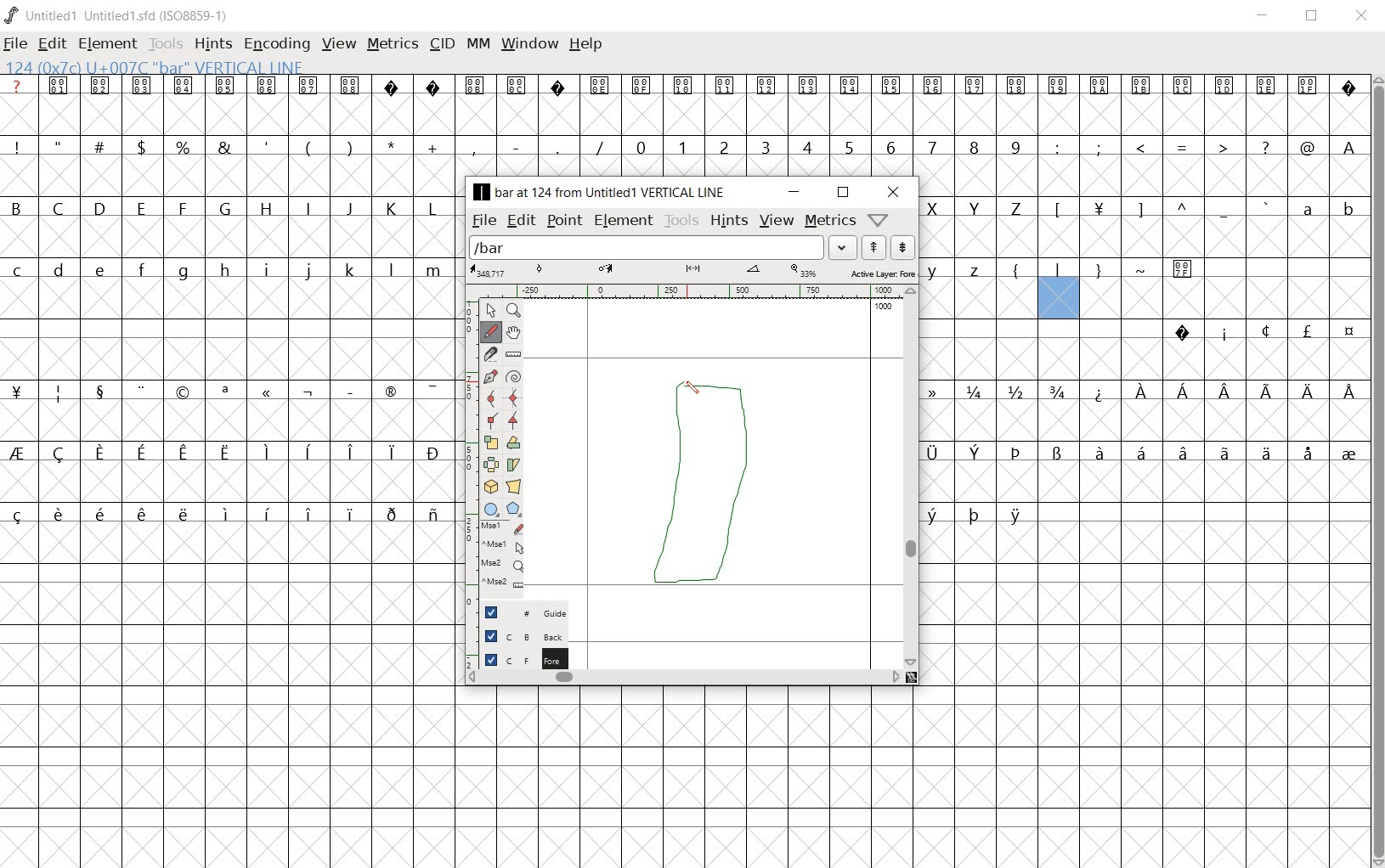 This screenshot has height=868, width=1385. I want to click on mse2, so click(495, 566).